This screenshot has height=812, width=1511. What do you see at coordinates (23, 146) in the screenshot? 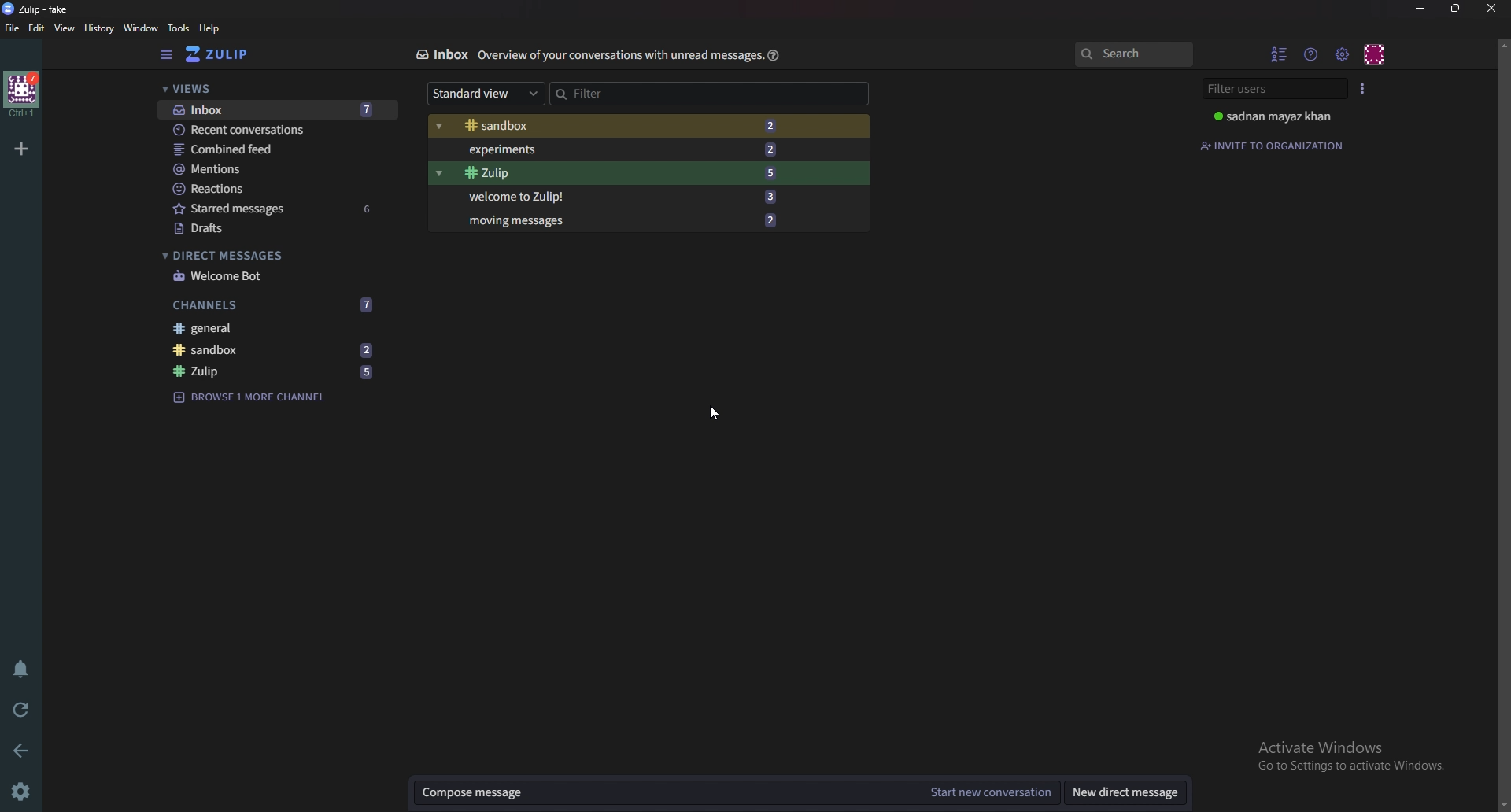
I see `Add organization` at bounding box center [23, 146].